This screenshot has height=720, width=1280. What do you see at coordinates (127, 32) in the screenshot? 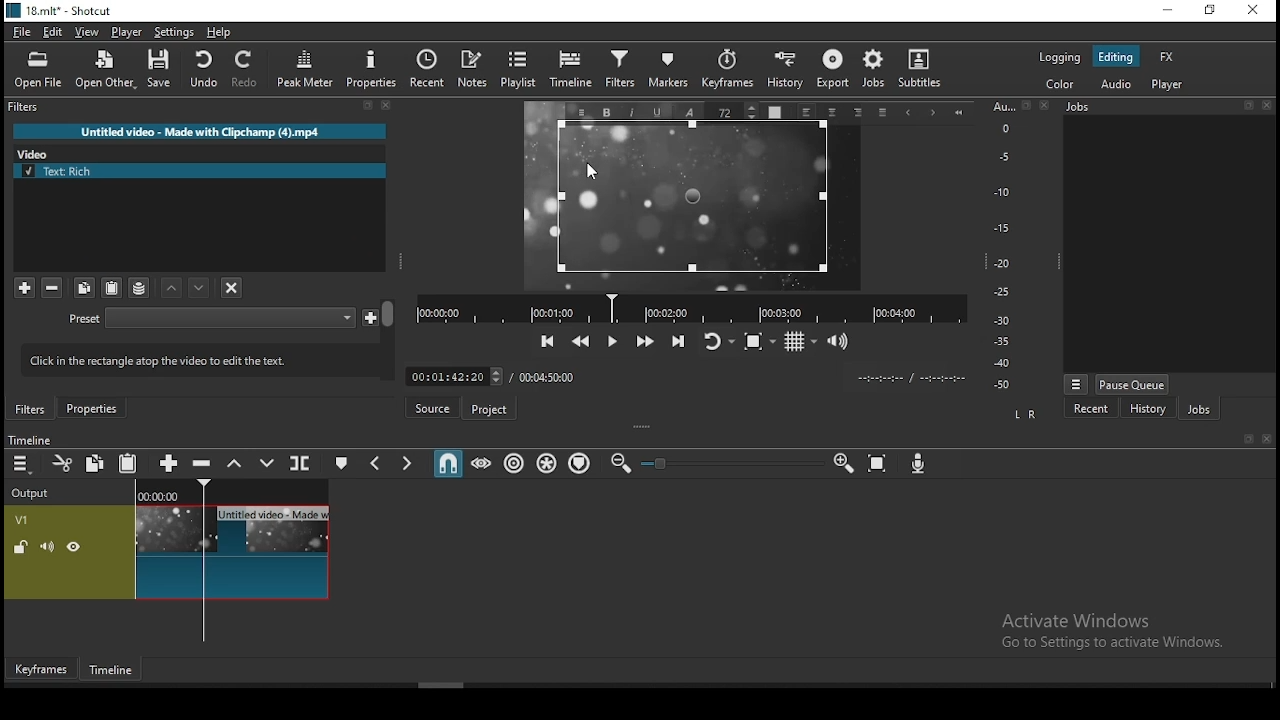
I see `player` at bounding box center [127, 32].